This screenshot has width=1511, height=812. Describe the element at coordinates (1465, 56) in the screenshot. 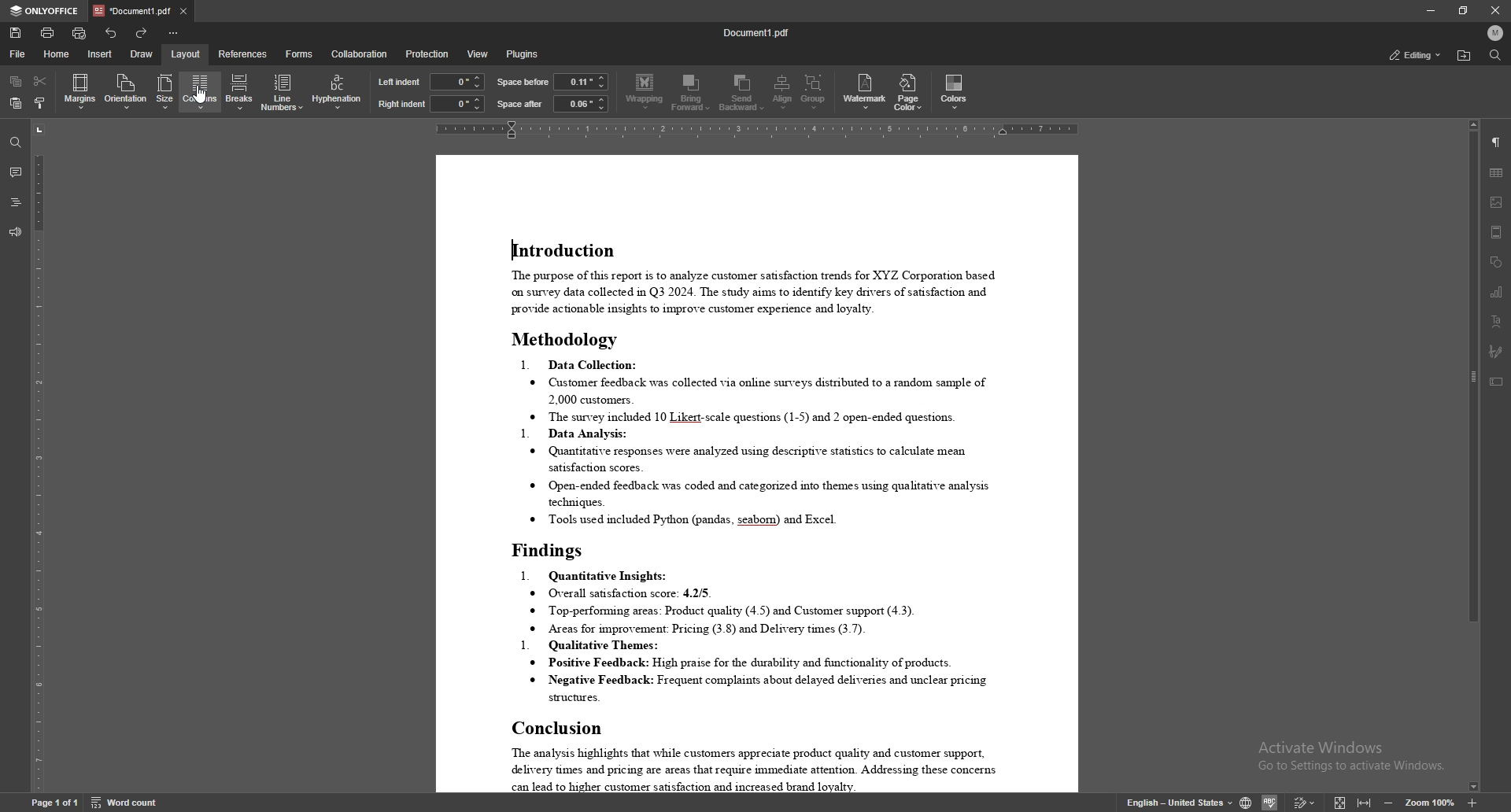

I see `find location` at that location.